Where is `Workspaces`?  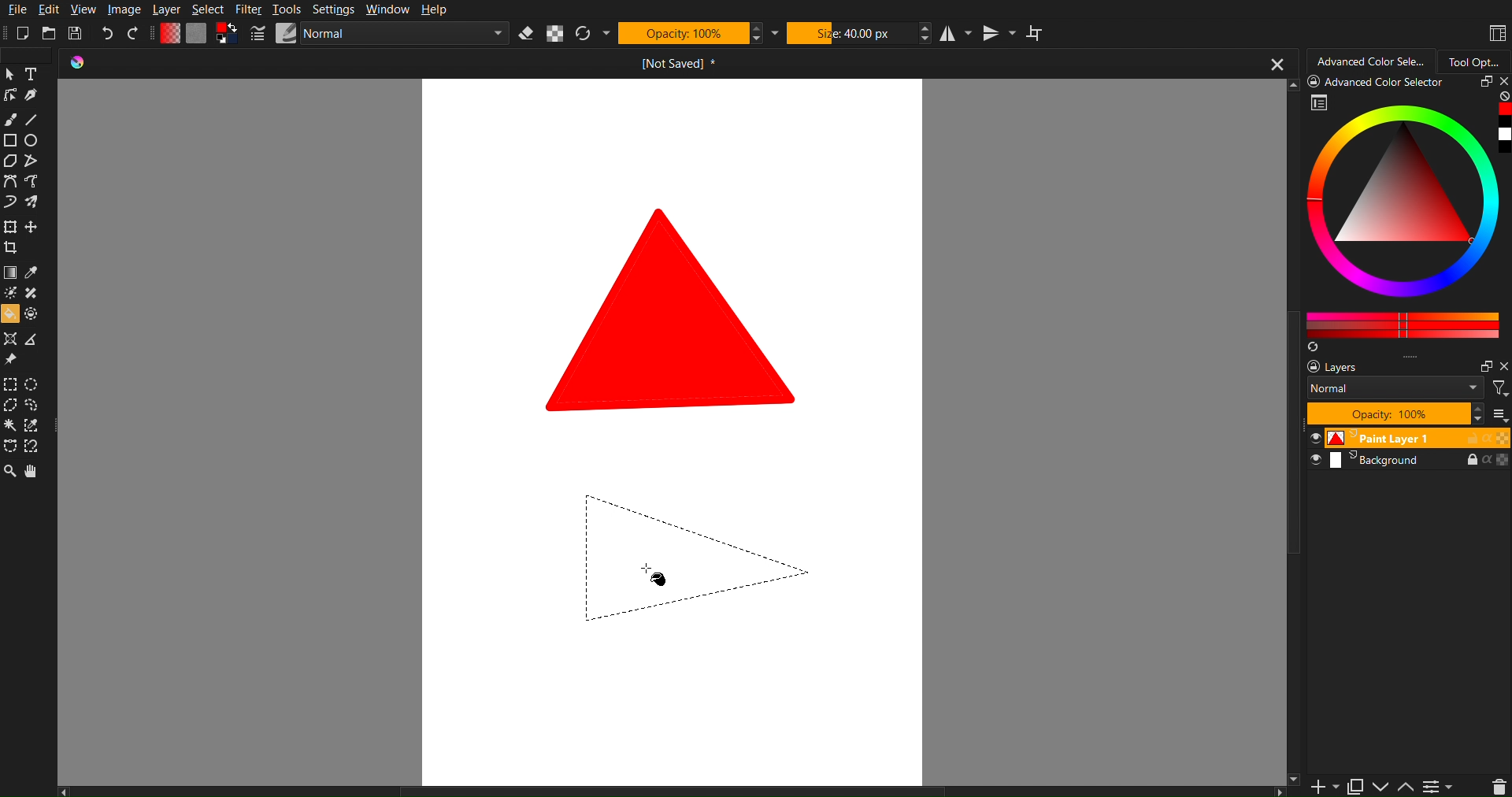 Workspaces is located at coordinates (1495, 32).